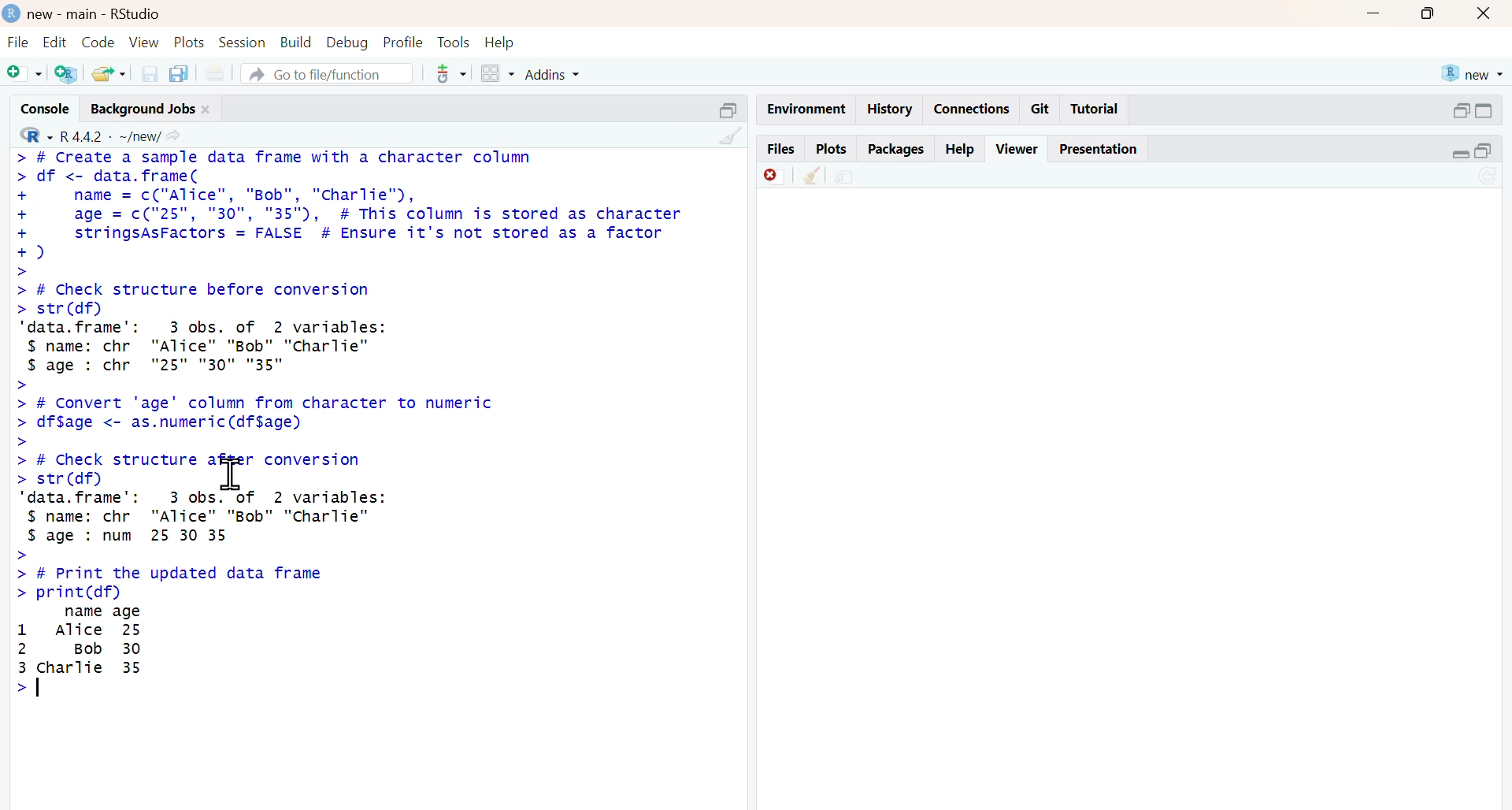 This screenshot has height=810, width=1512. What do you see at coordinates (111, 137) in the screenshot?
I see `R 4.4.2 ~/new/` at bounding box center [111, 137].